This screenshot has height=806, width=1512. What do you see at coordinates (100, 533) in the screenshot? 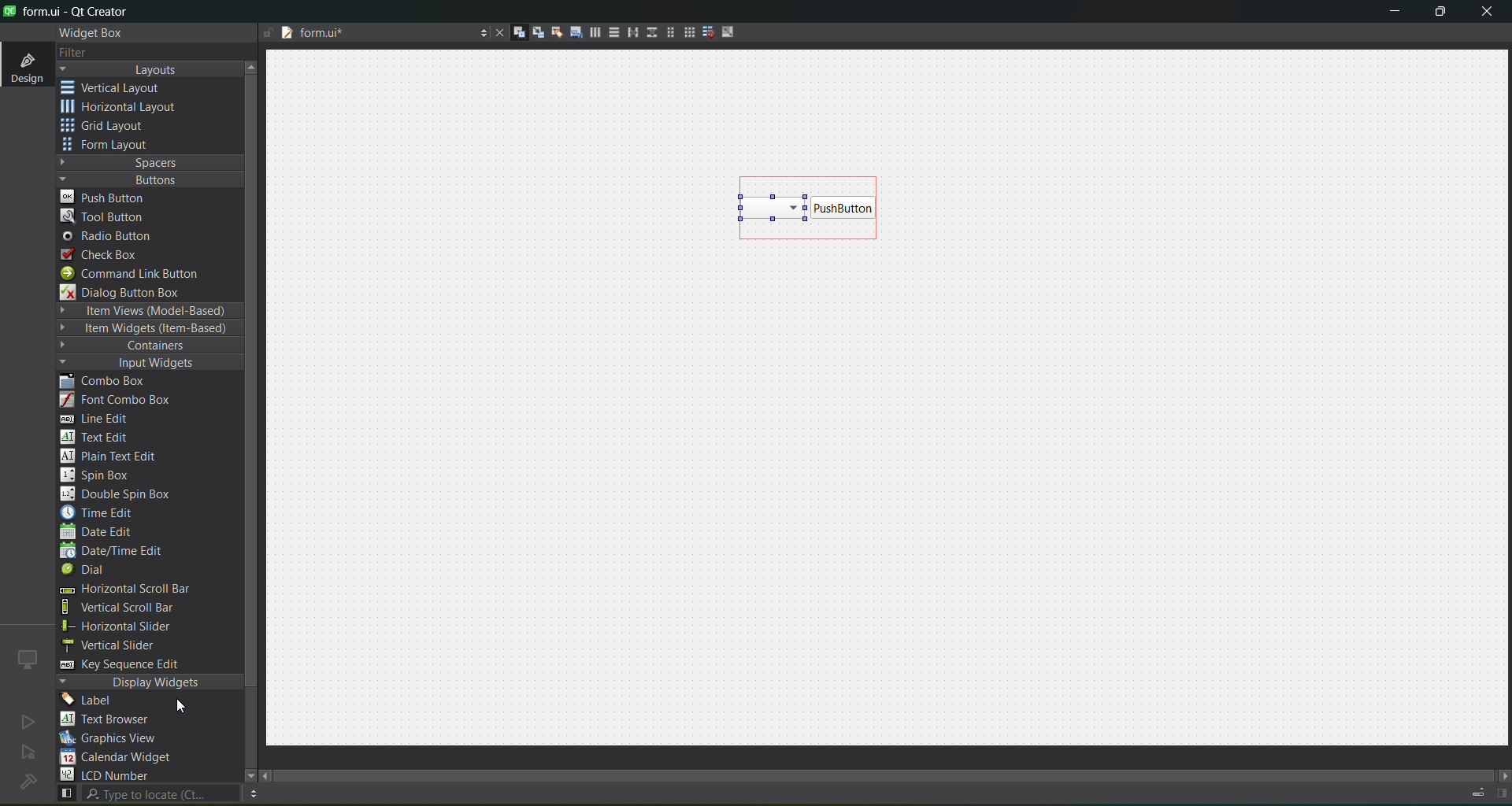
I see `date edit` at bounding box center [100, 533].